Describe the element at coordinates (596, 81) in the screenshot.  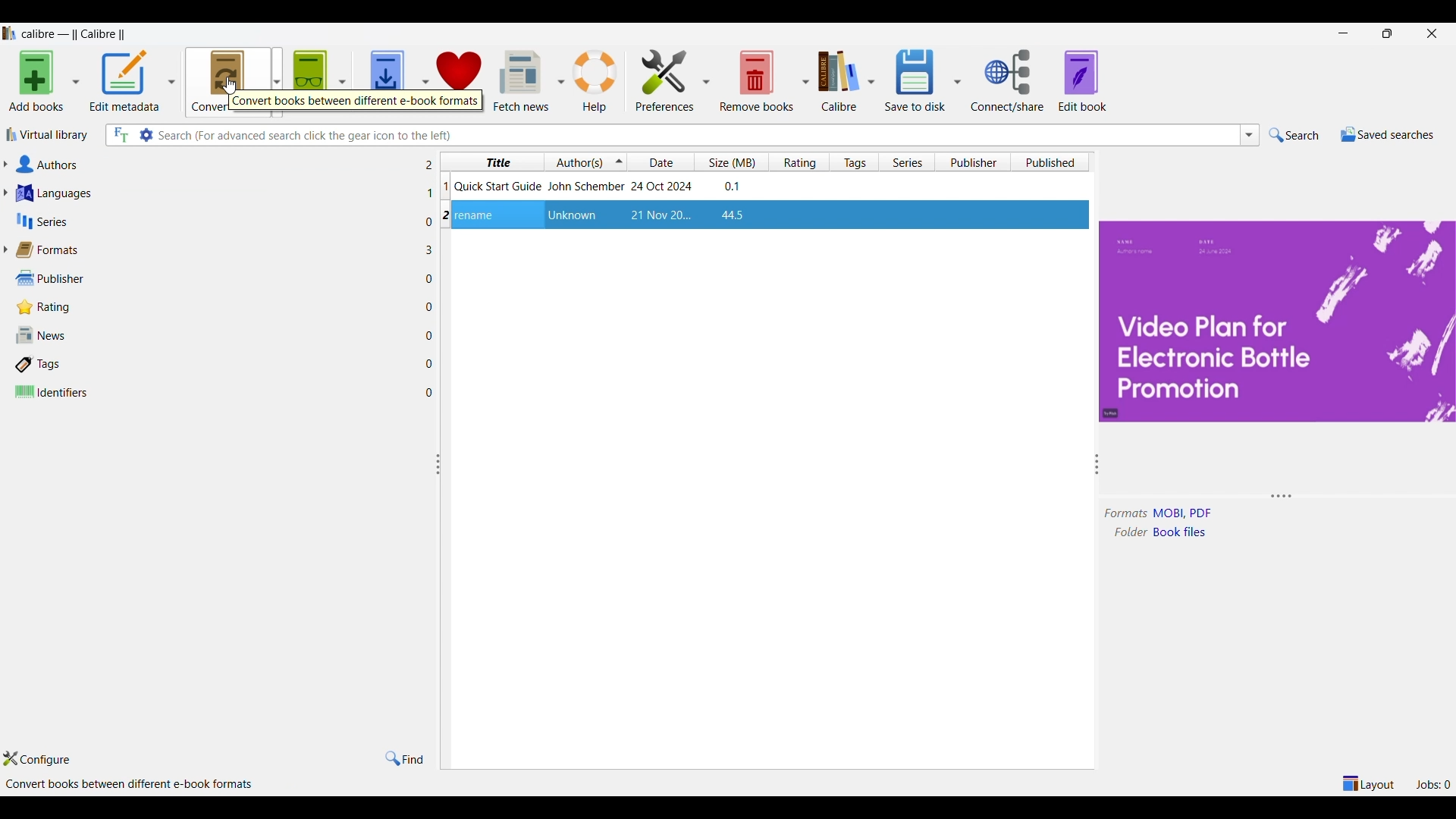
I see `Help` at that location.